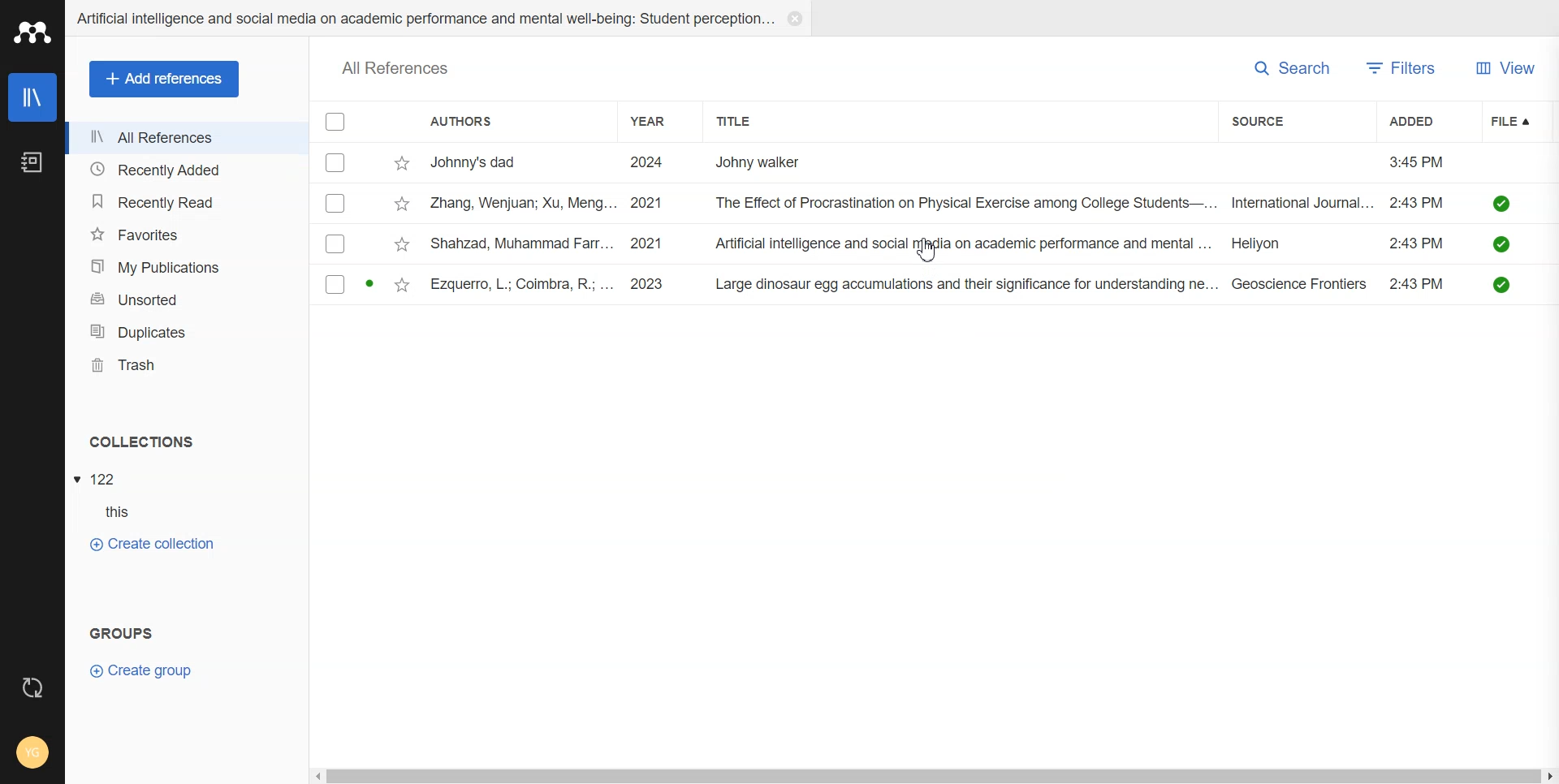  I want to click on downloded, so click(1501, 204).